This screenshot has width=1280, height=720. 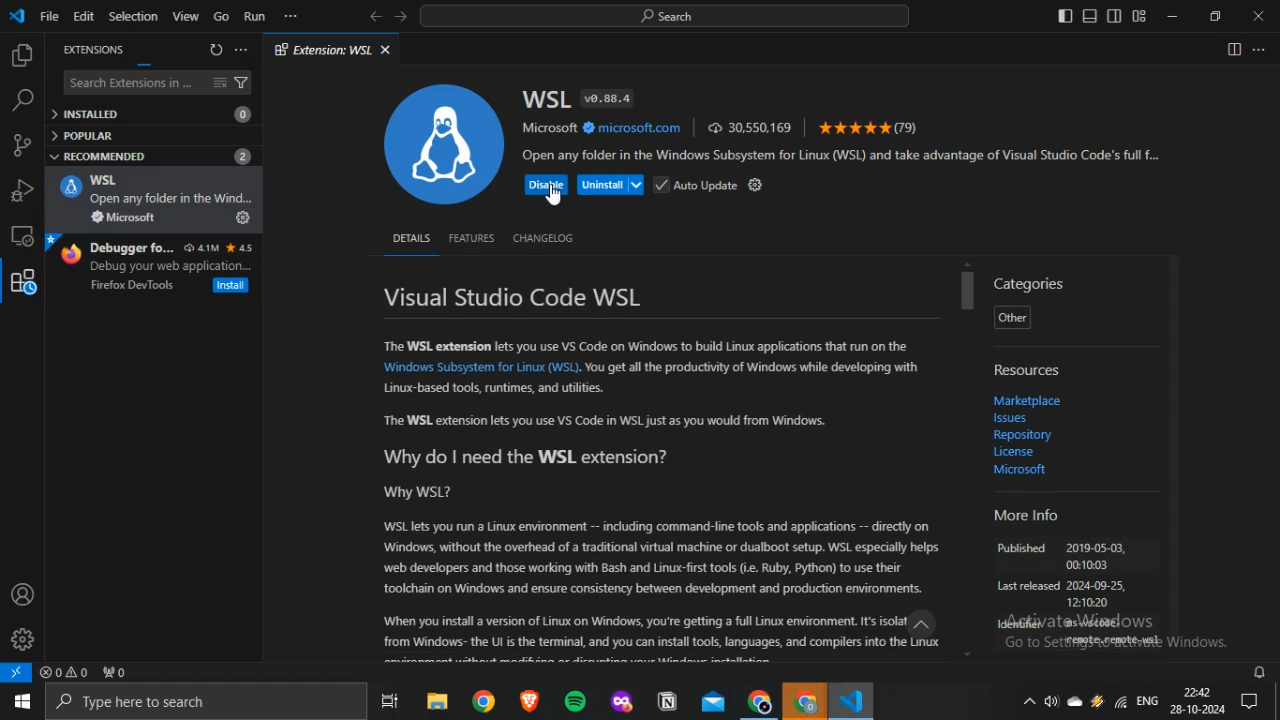 I want to click on Licence, so click(x=1013, y=453).